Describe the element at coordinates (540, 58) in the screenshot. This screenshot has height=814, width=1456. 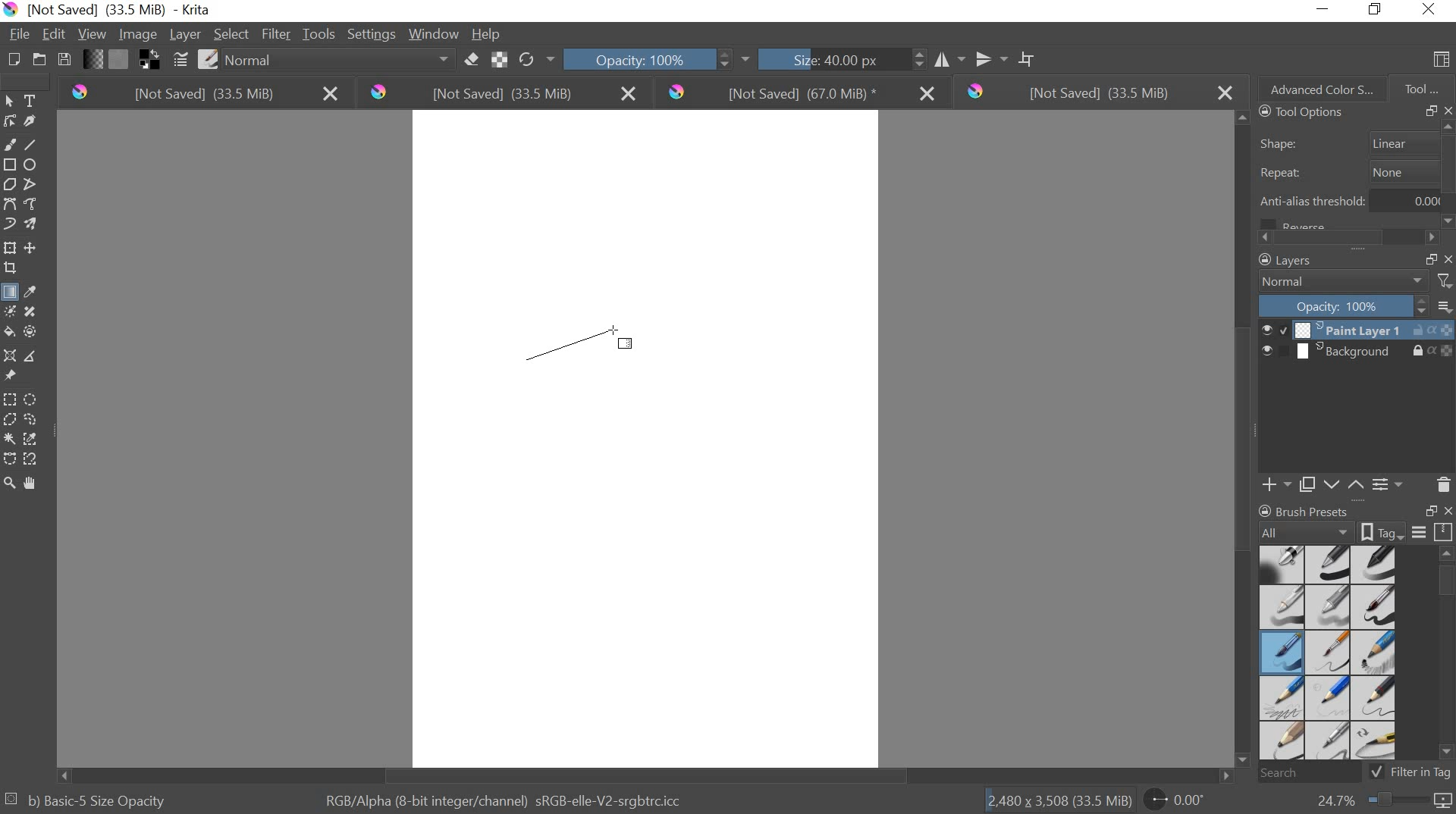
I see `RELOAD ORIGINAL PRESET` at that location.